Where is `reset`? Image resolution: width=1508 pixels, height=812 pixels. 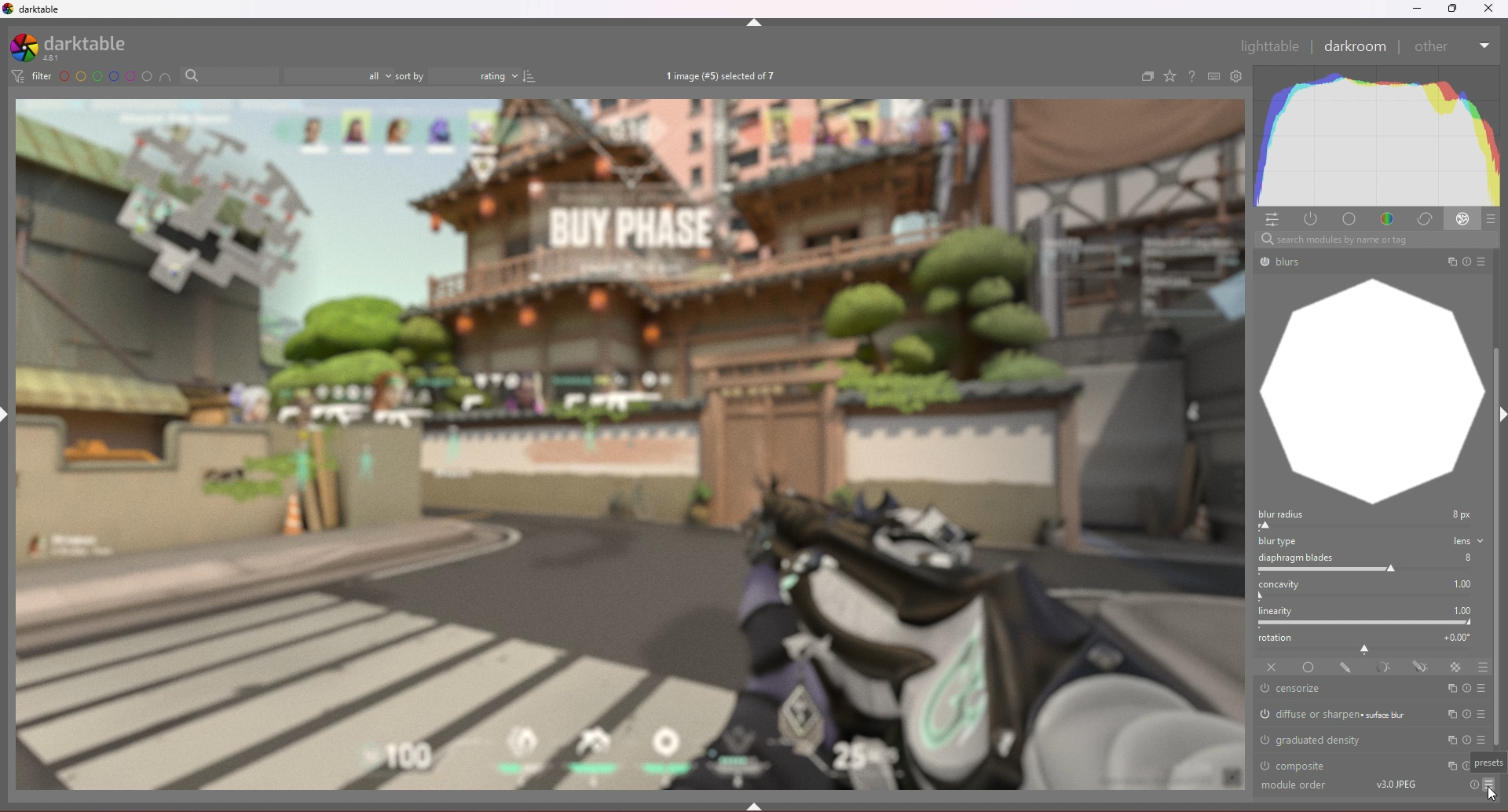 reset is located at coordinates (1466, 740).